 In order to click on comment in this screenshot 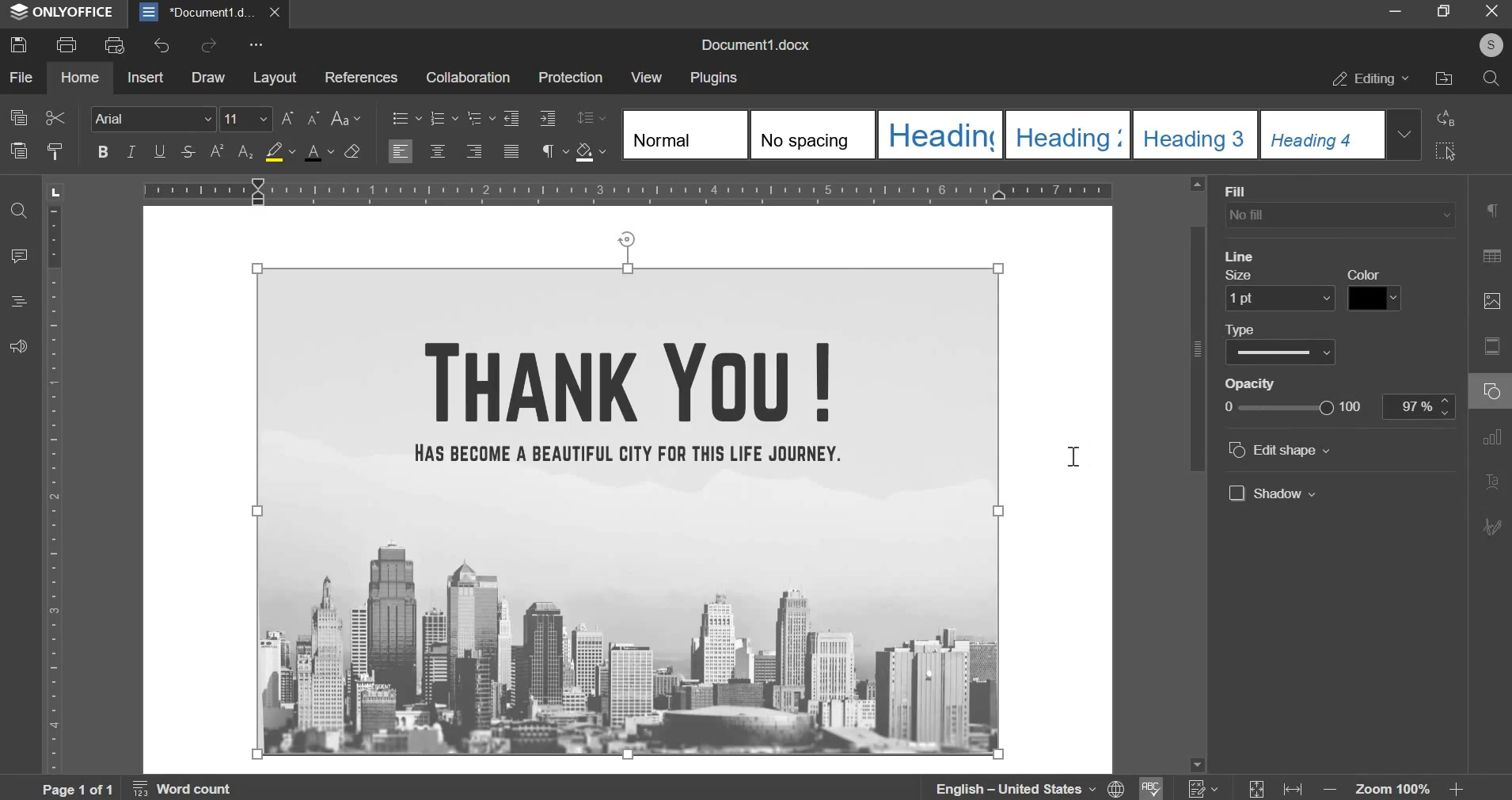, I will do `click(20, 257)`.